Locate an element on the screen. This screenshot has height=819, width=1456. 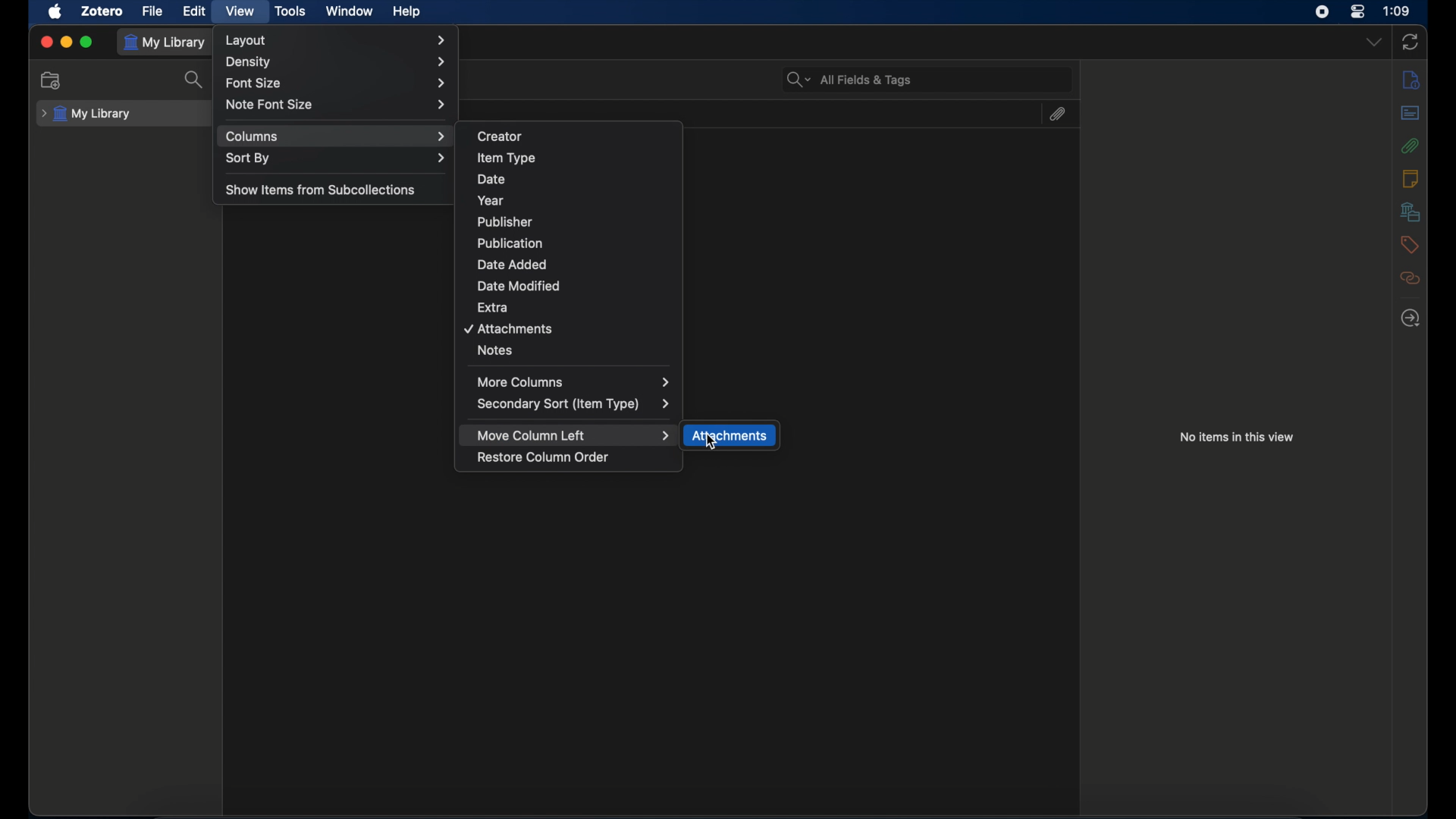
notes is located at coordinates (1410, 178).